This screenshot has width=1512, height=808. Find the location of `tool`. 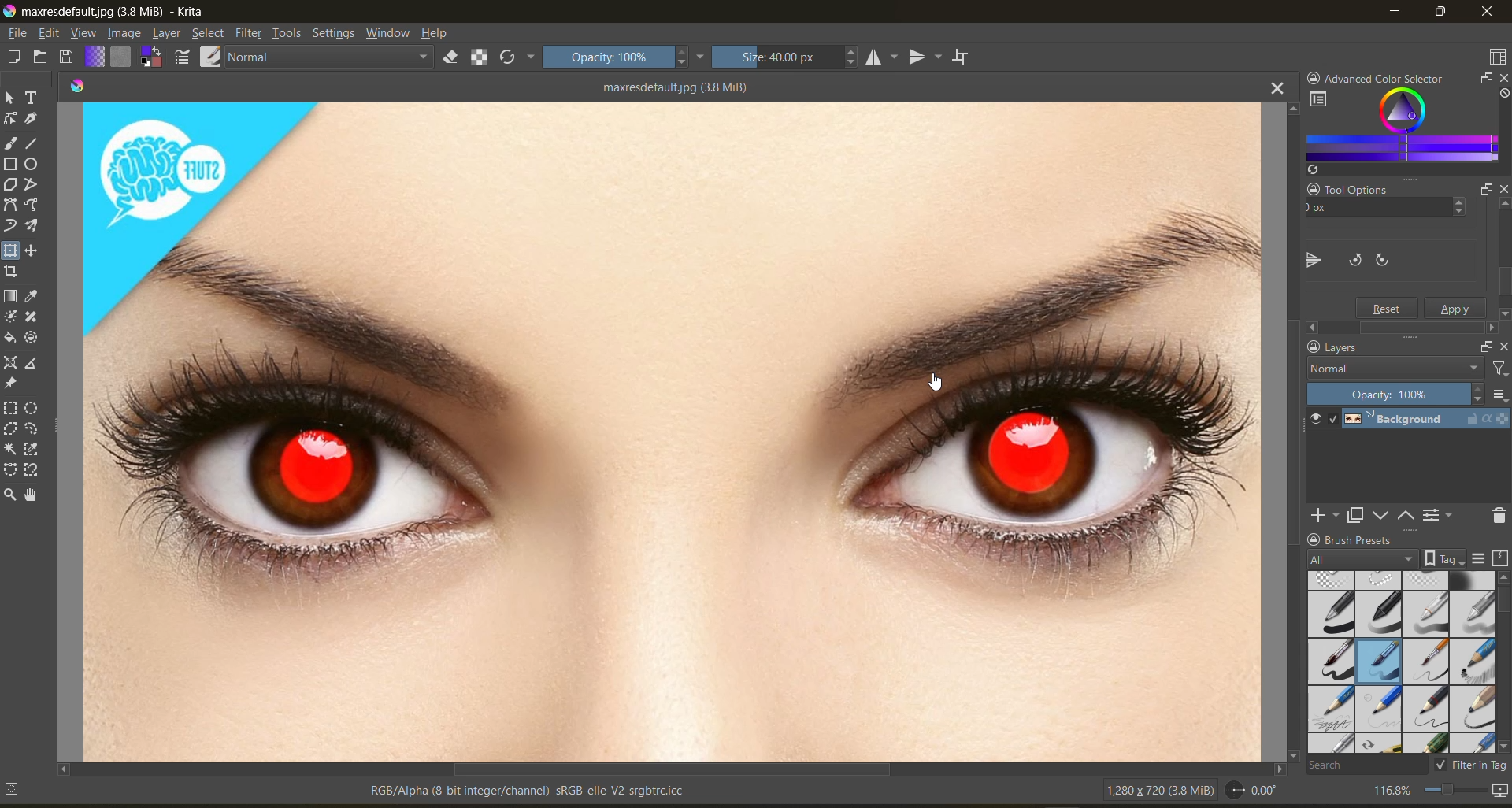

tool is located at coordinates (32, 339).